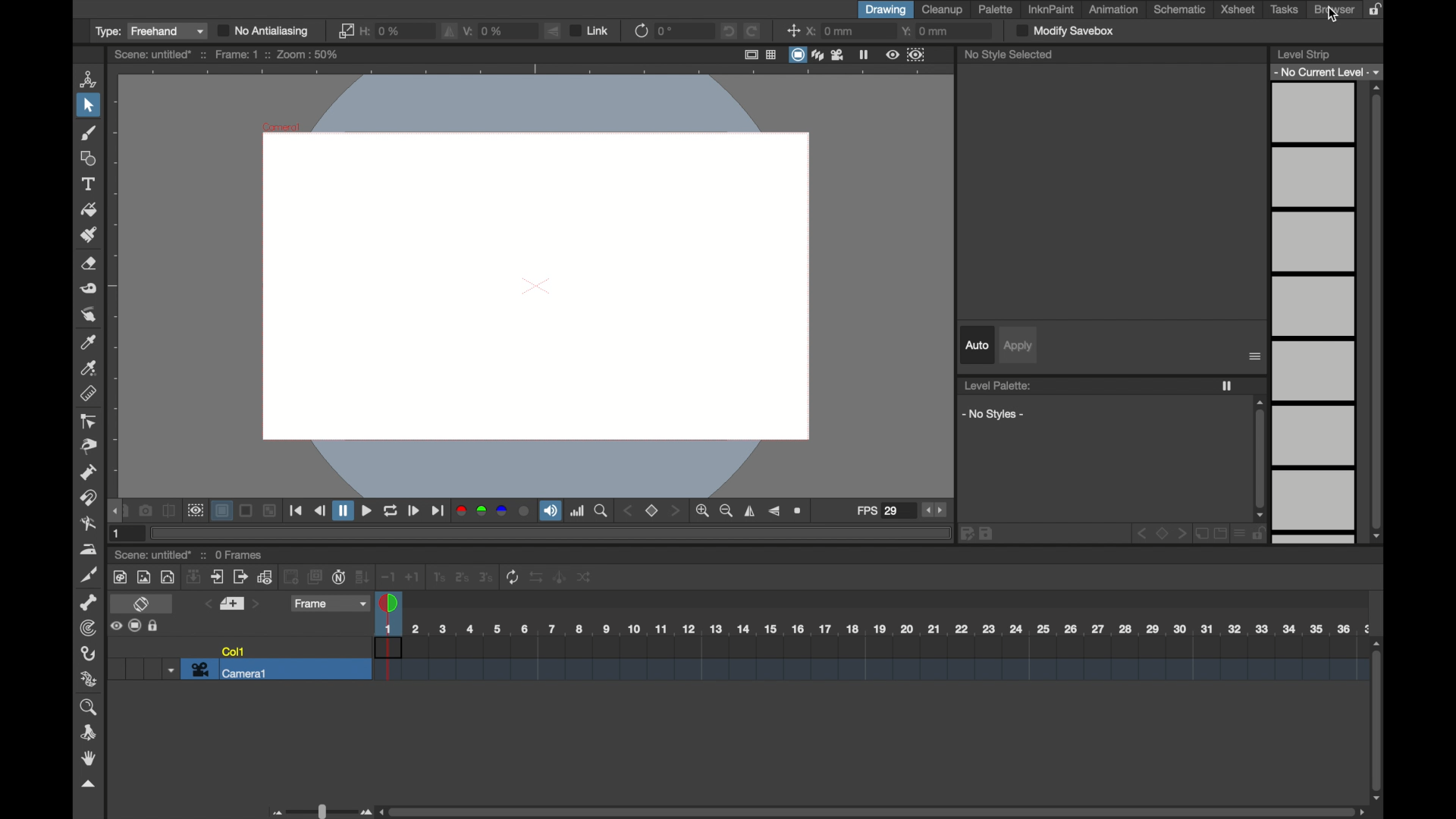 Image resolution: width=1456 pixels, height=819 pixels. I want to click on screen, so click(796, 55).